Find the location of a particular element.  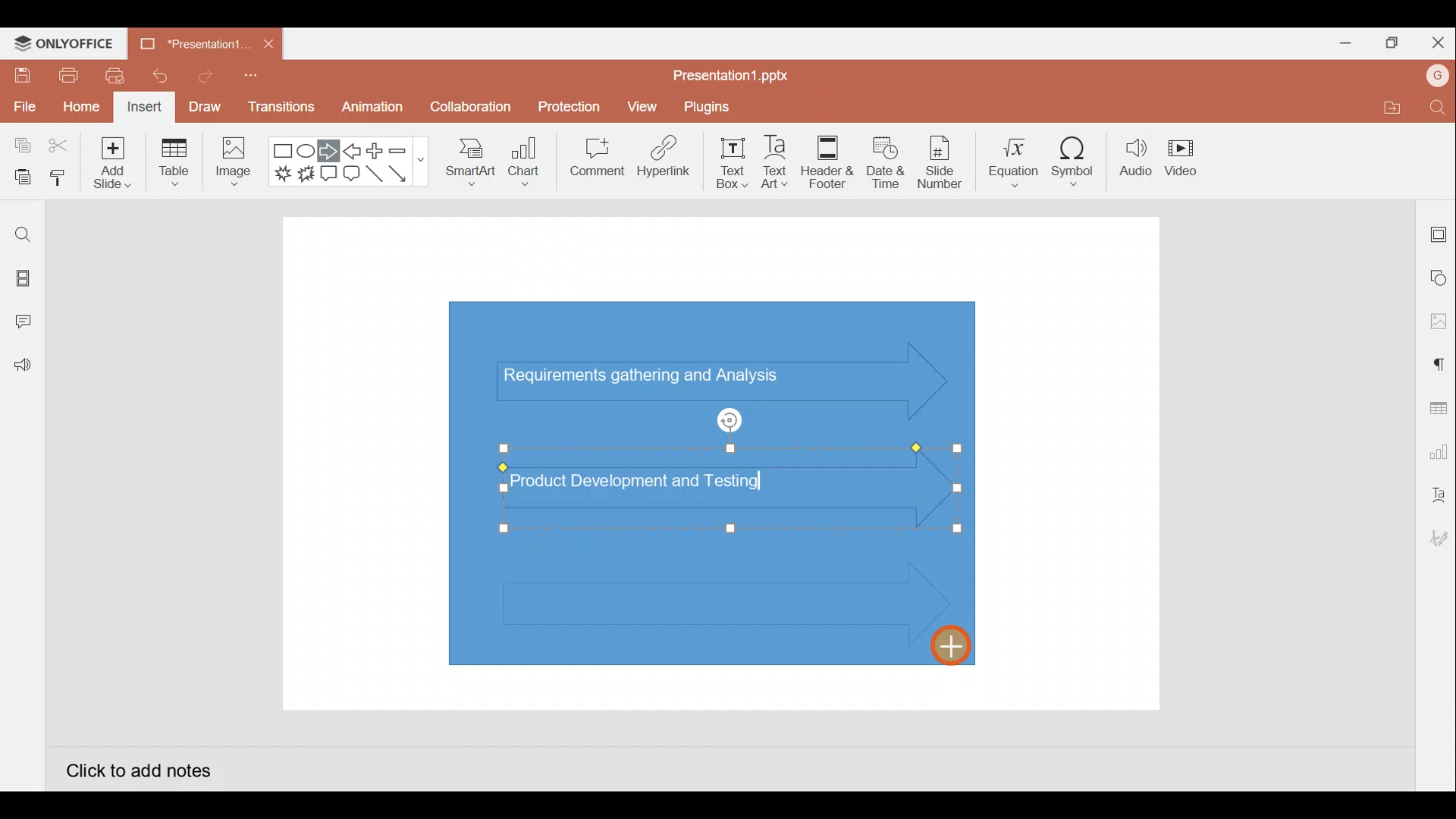

Cut is located at coordinates (59, 146).